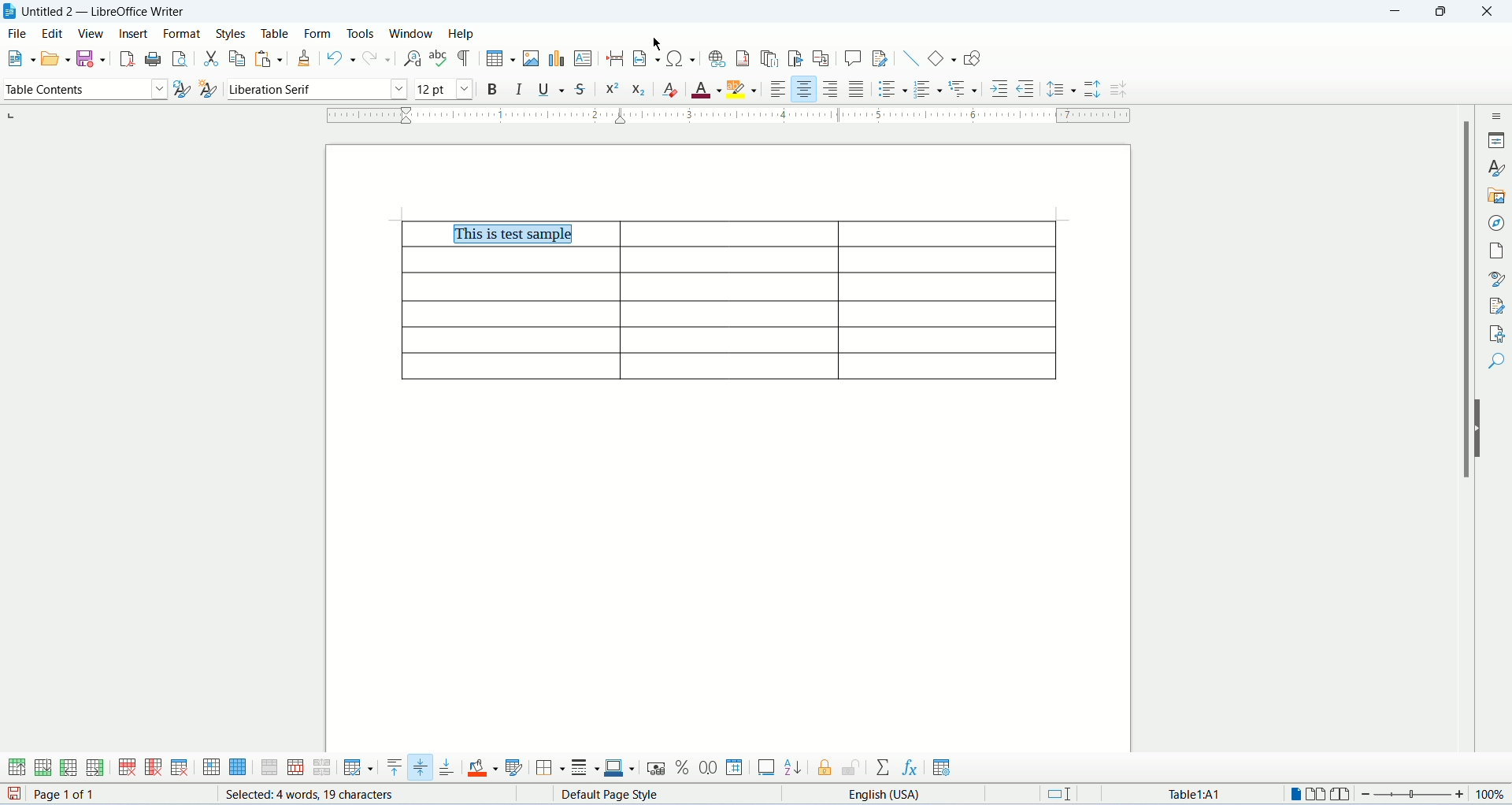 This screenshot has width=1512, height=805. I want to click on formatting marks, so click(465, 57).